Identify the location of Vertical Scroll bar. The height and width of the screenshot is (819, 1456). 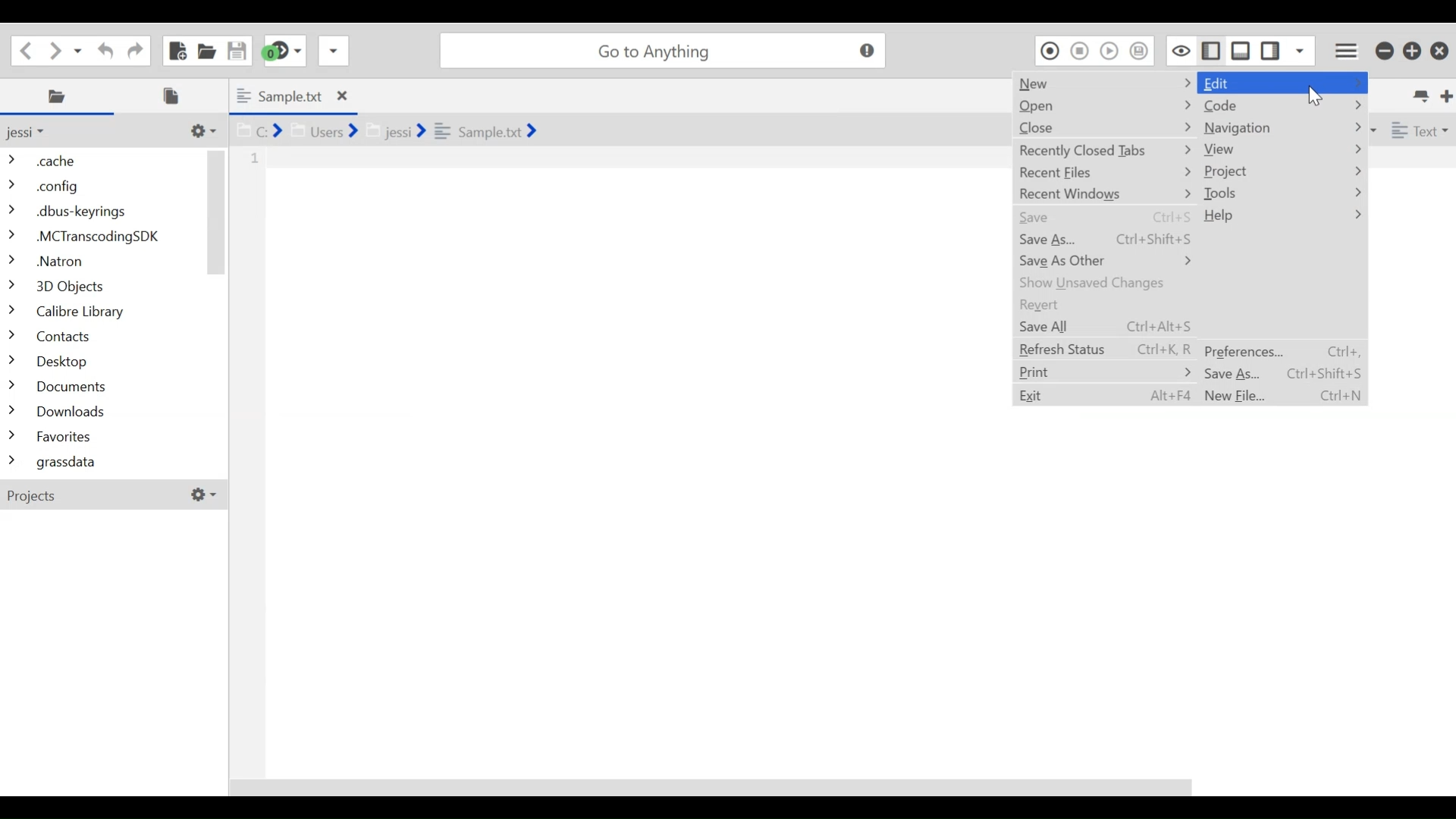
(217, 212).